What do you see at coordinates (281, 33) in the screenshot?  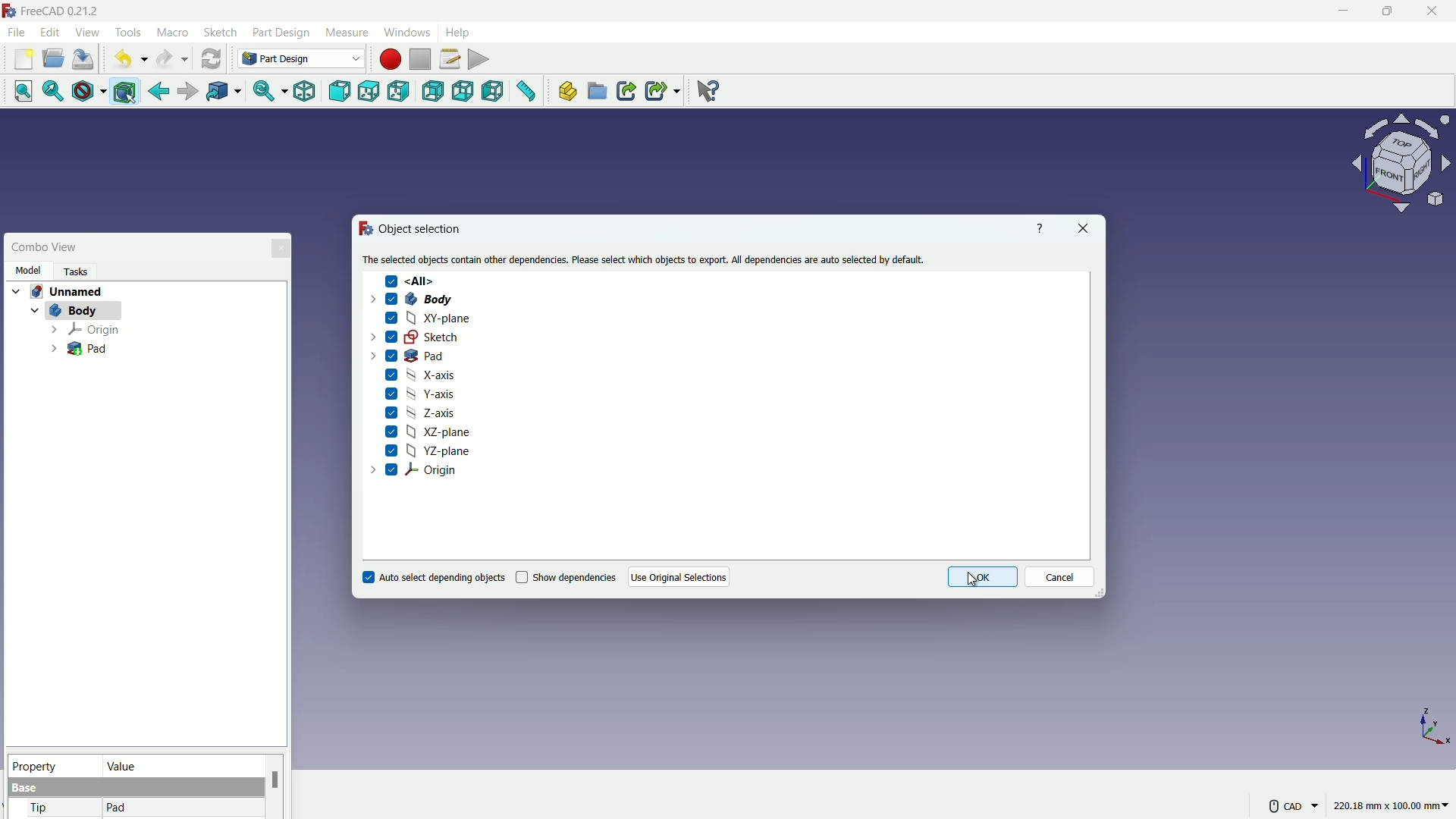 I see `part design` at bounding box center [281, 33].